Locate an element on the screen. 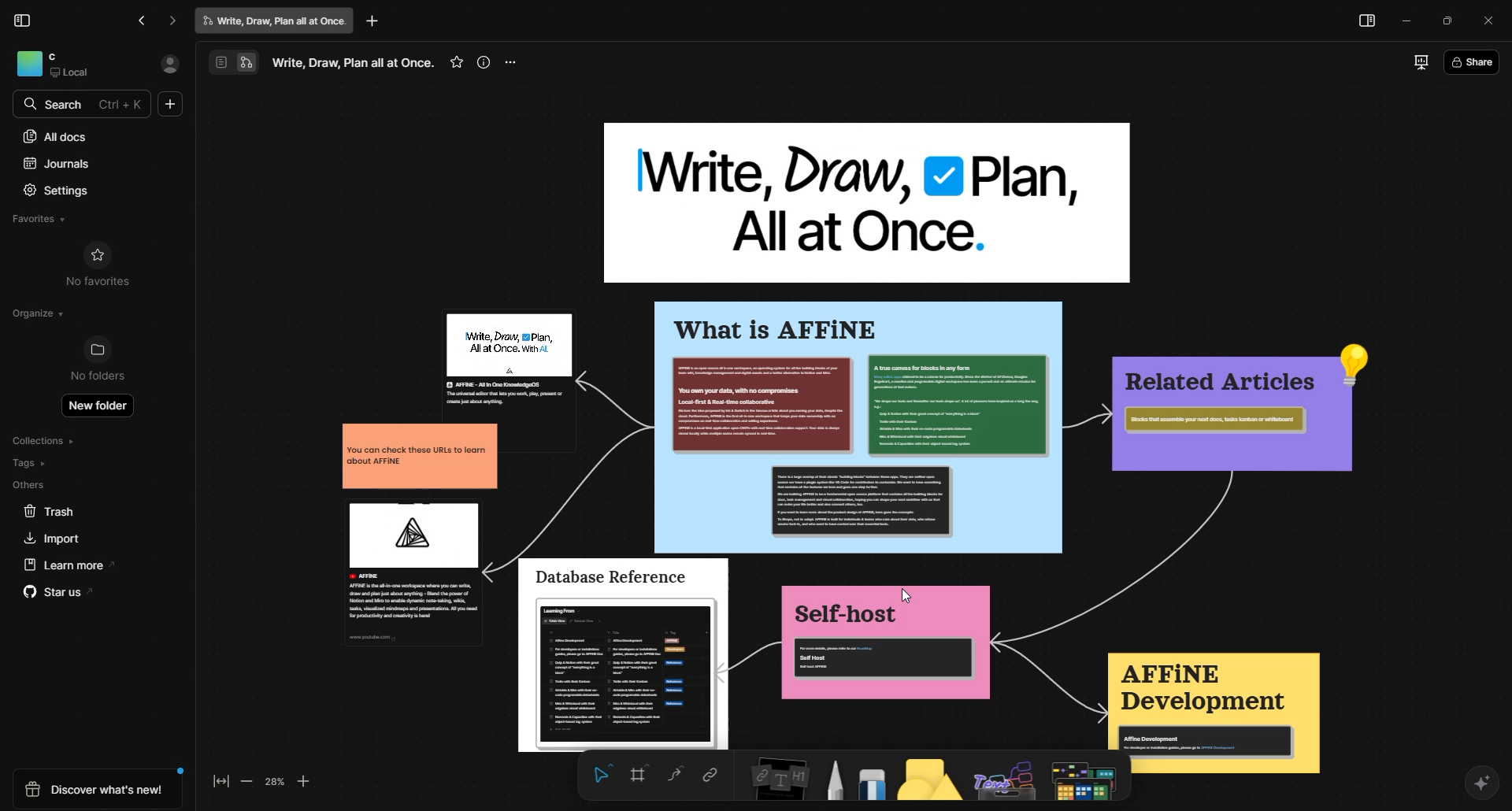 The width and height of the screenshot is (1512, 811). share is located at coordinates (1473, 61).